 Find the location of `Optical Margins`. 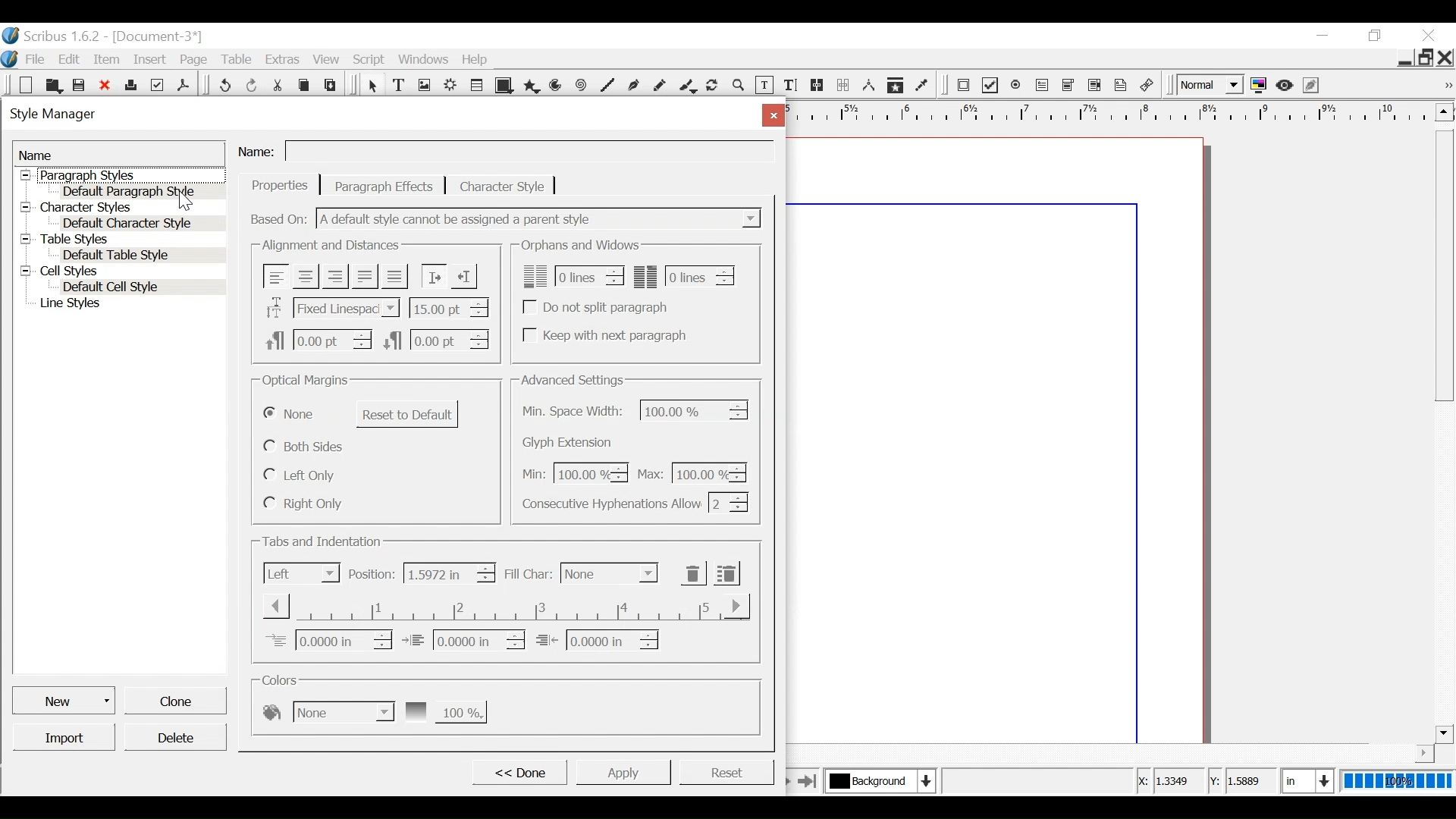

Optical Margins is located at coordinates (306, 381).